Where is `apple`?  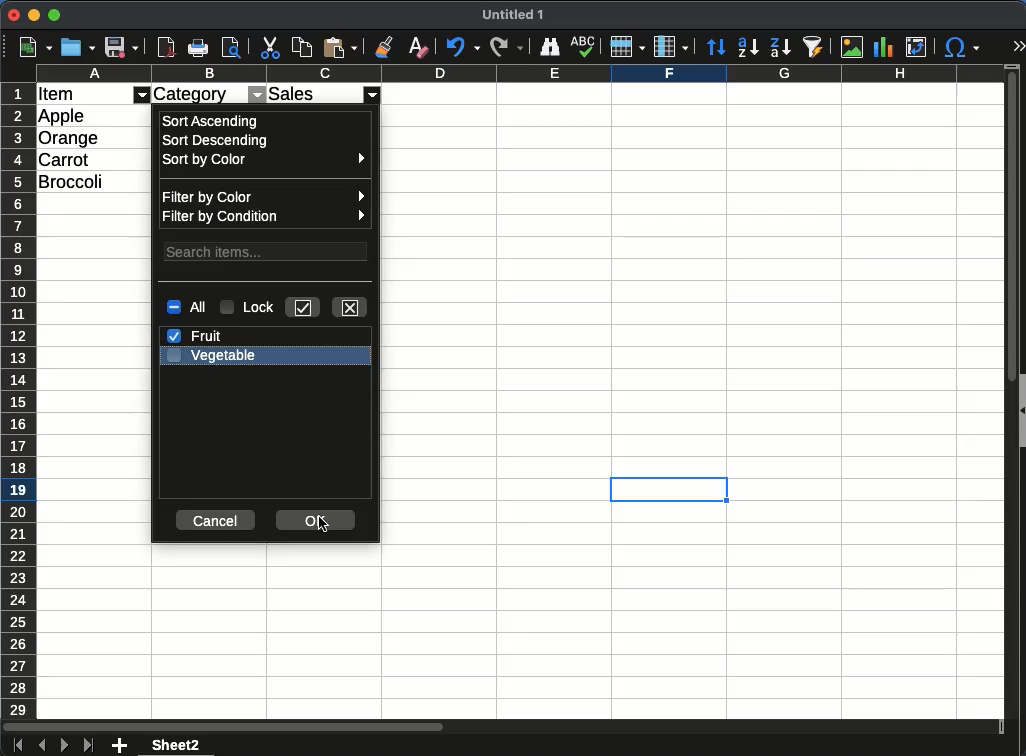
apple is located at coordinates (63, 116).